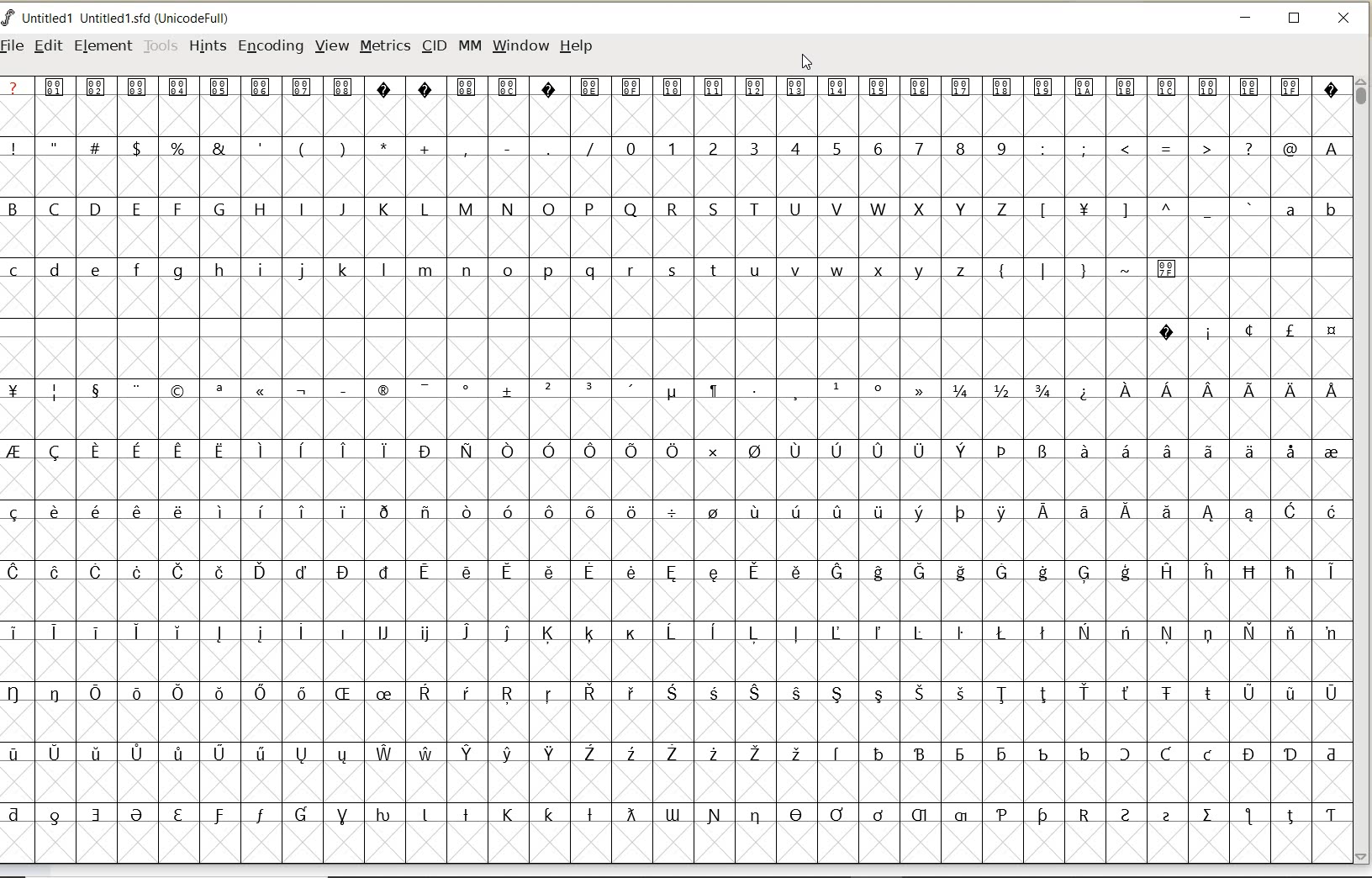 This screenshot has height=878, width=1372. I want to click on ELEMENT, so click(103, 45).